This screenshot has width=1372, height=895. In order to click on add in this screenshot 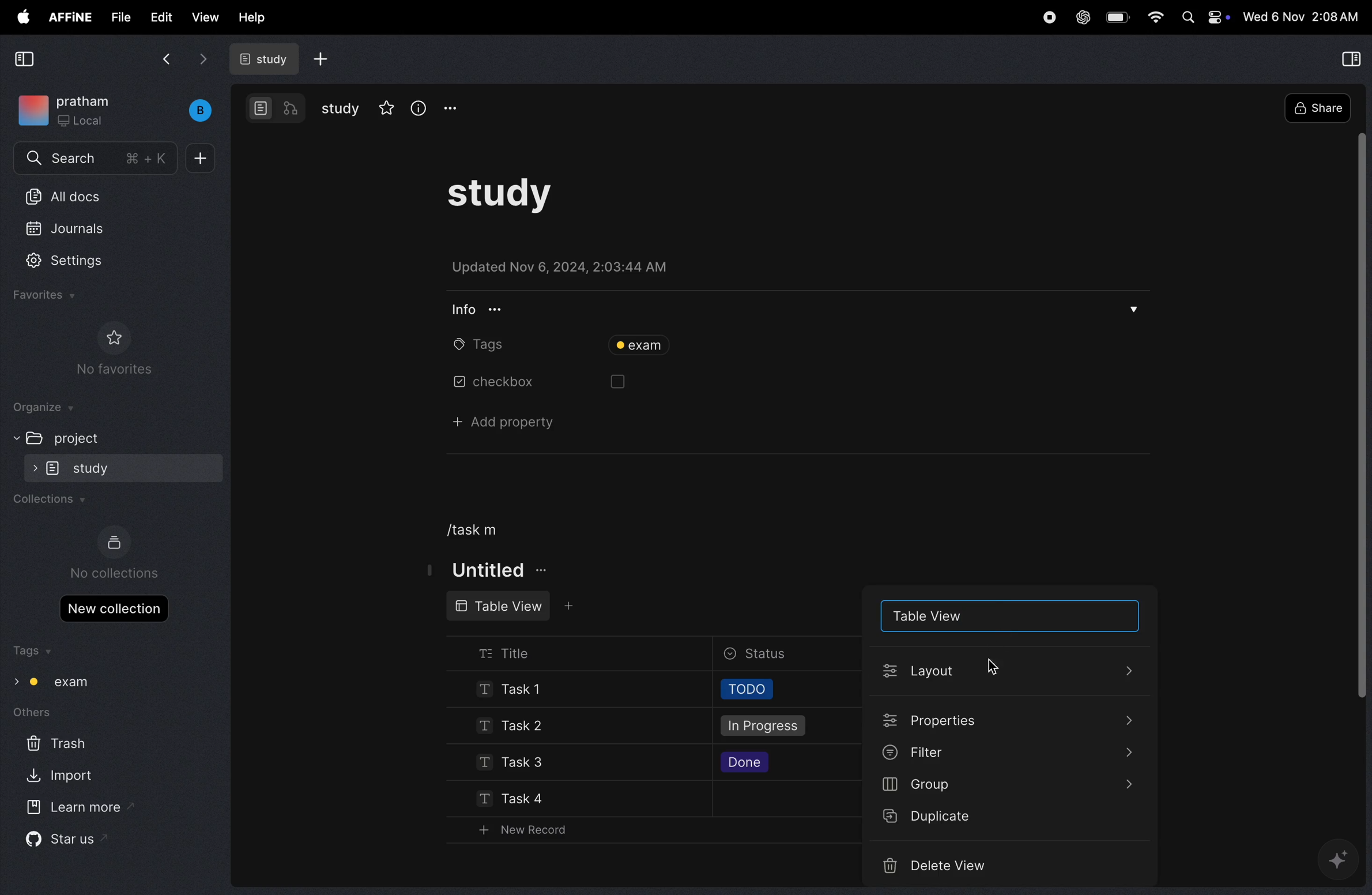, I will do `click(200, 157)`.